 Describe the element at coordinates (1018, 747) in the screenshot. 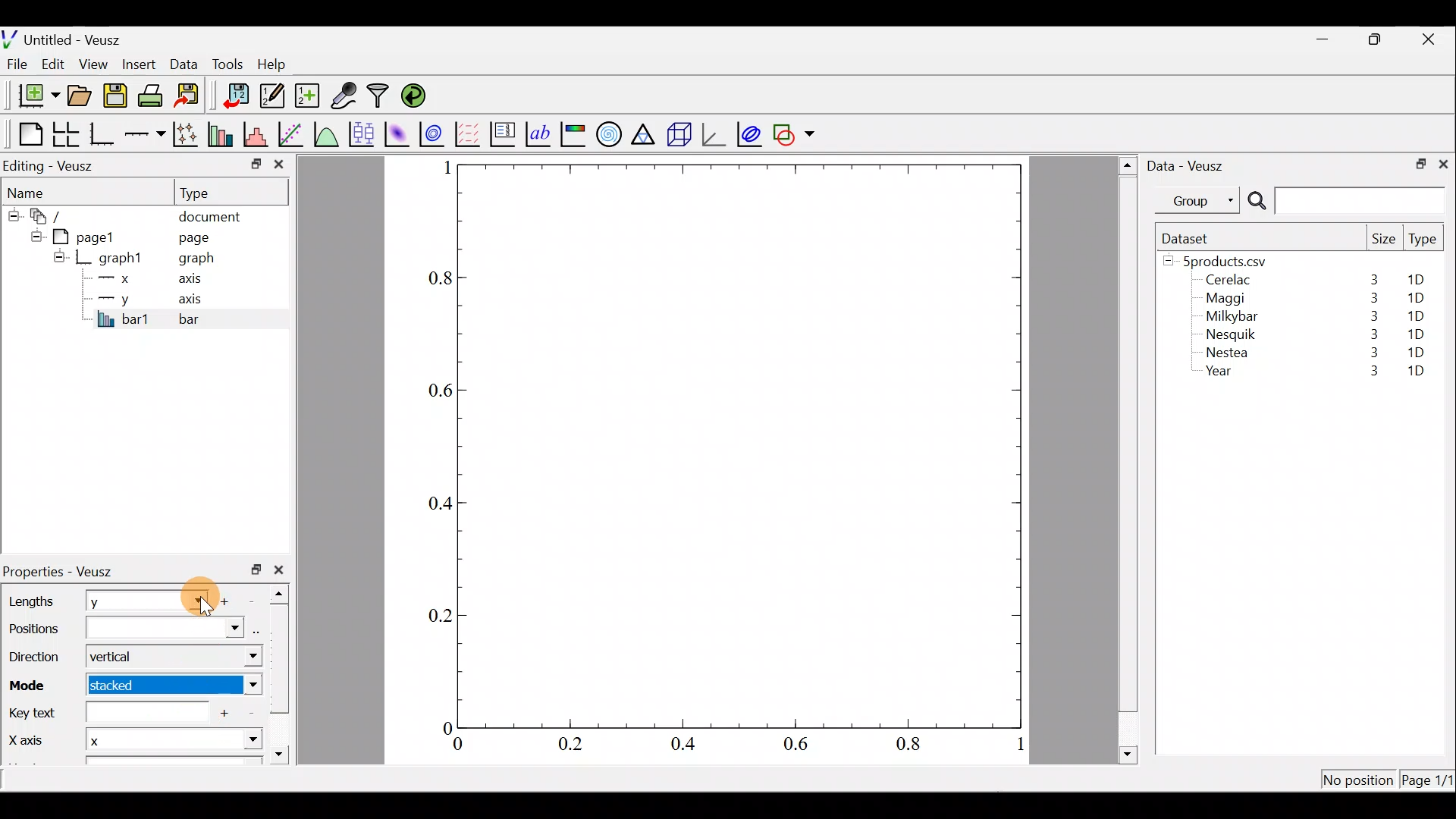

I see `1` at that location.